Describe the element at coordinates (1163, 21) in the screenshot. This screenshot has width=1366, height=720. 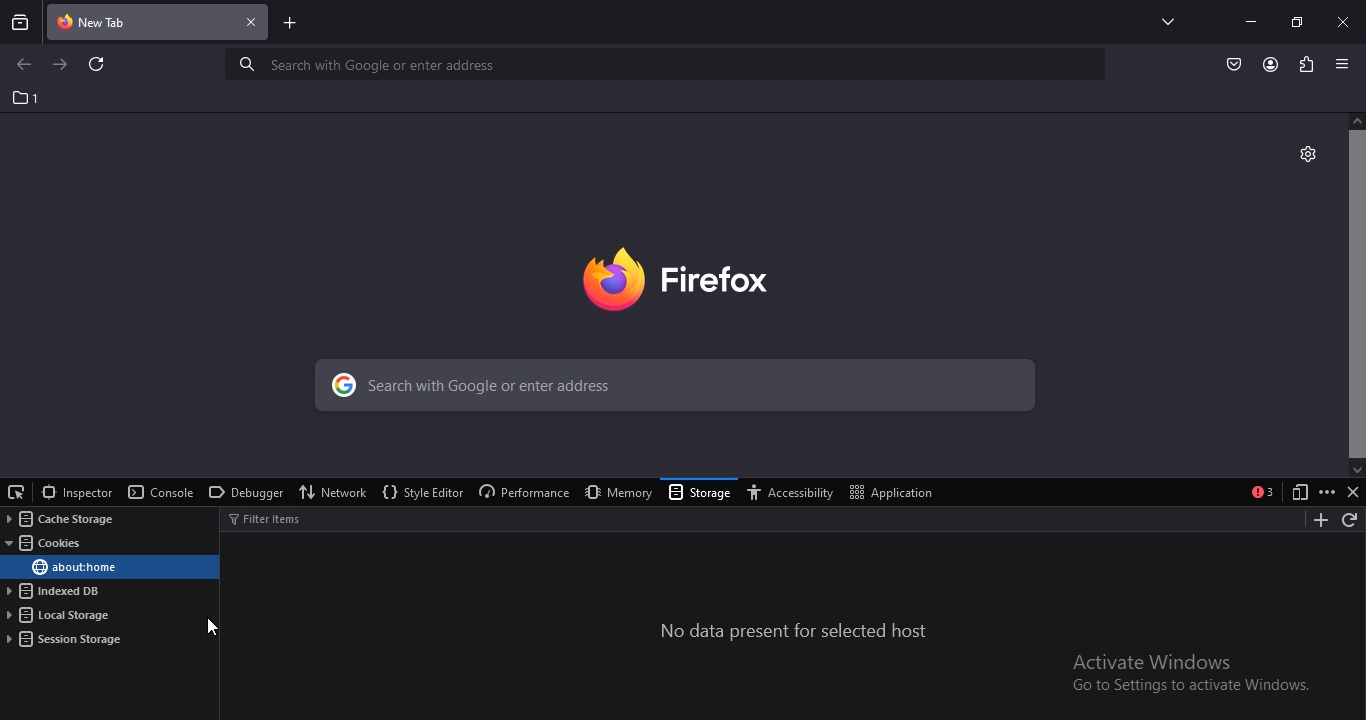
I see `list all tabs` at that location.